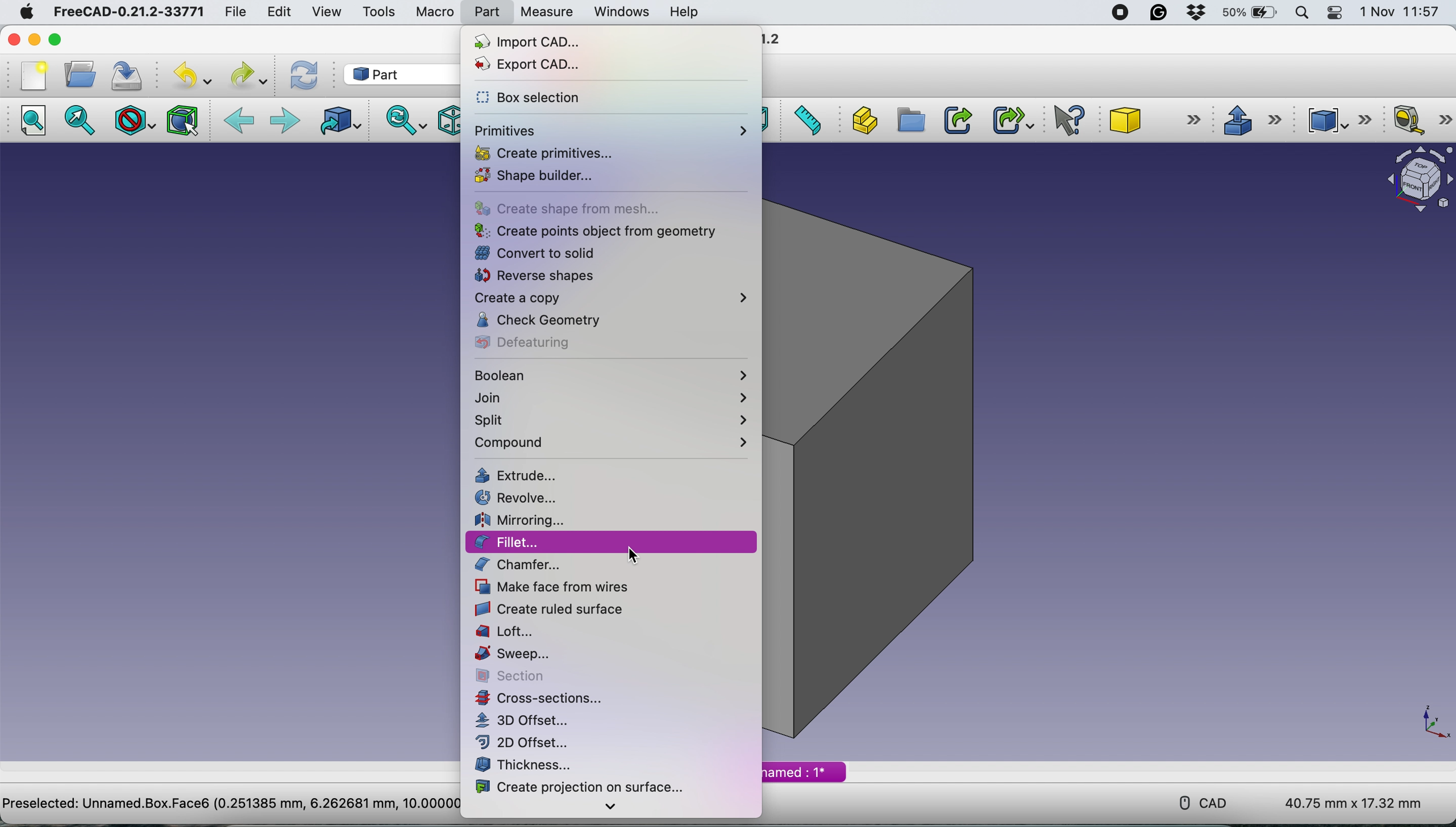  What do you see at coordinates (284, 122) in the screenshot?
I see `forward` at bounding box center [284, 122].